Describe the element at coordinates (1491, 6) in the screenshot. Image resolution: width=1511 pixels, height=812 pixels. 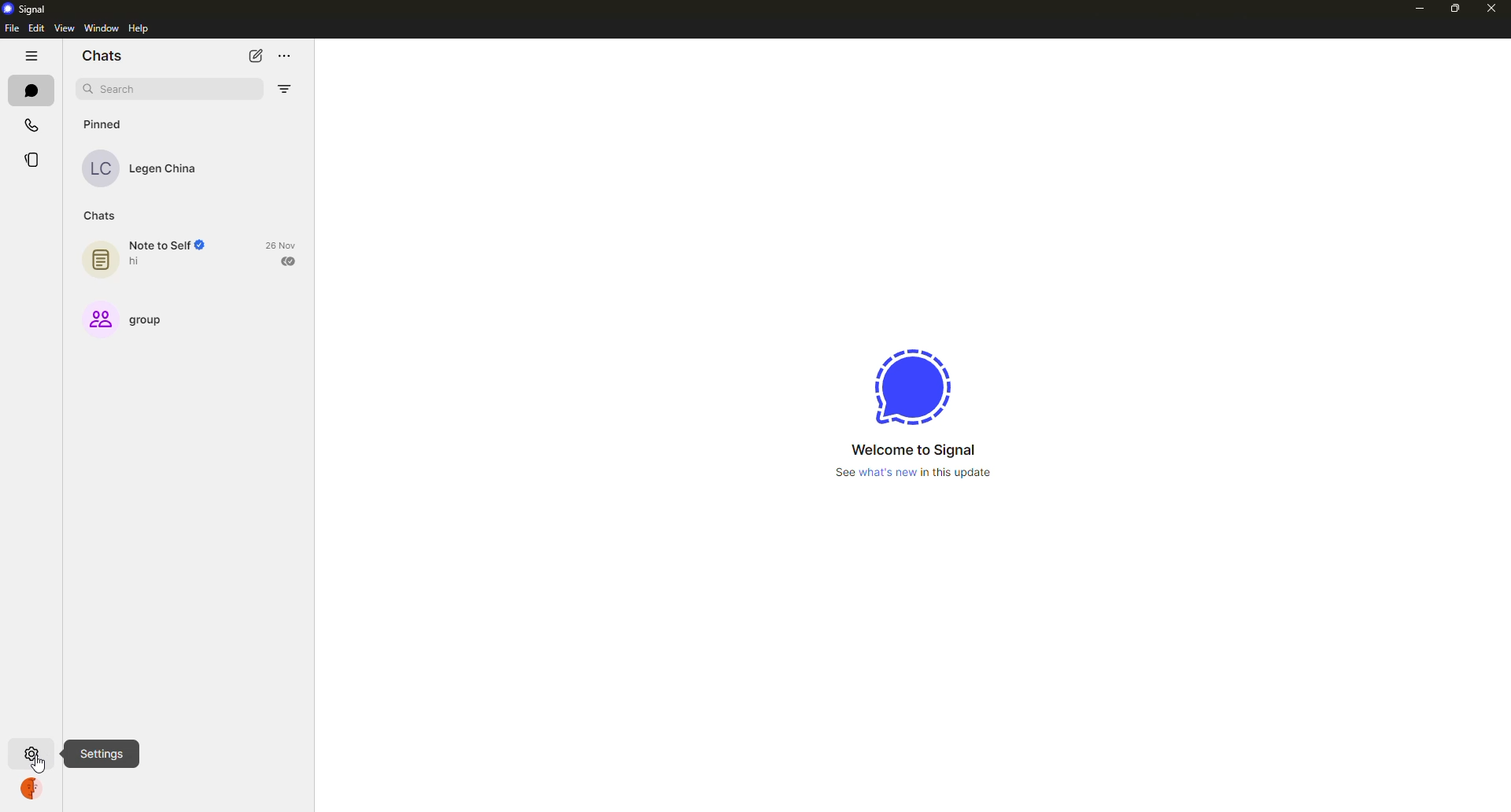
I see `close` at that location.